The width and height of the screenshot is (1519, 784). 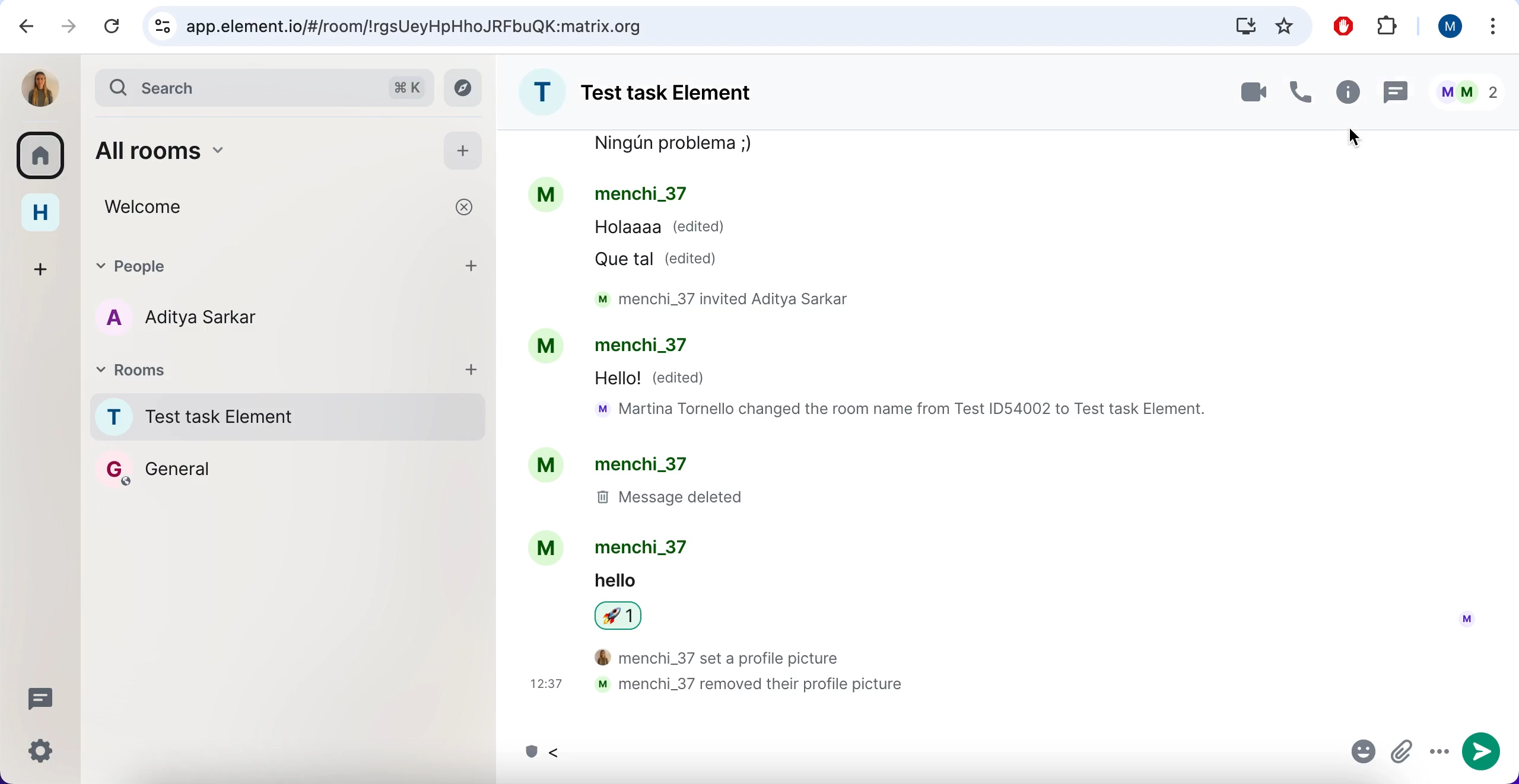 What do you see at coordinates (914, 757) in the screenshot?
I see `` at bounding box center [914, 757].